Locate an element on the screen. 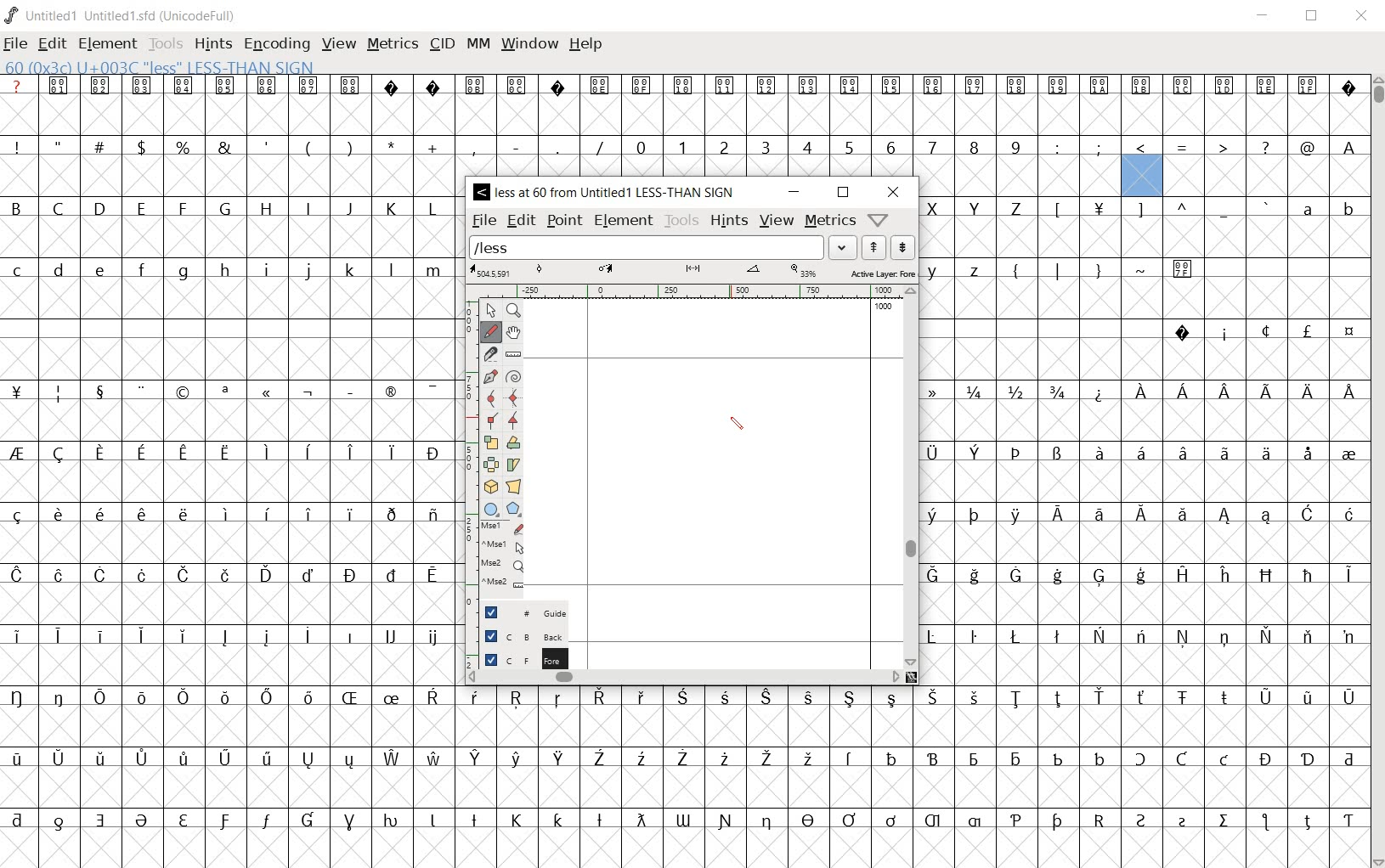 The height and width of the screenshot is (868, 1385). mse1 mse1 mse2 mse2 is located at coordinates (506, 555).